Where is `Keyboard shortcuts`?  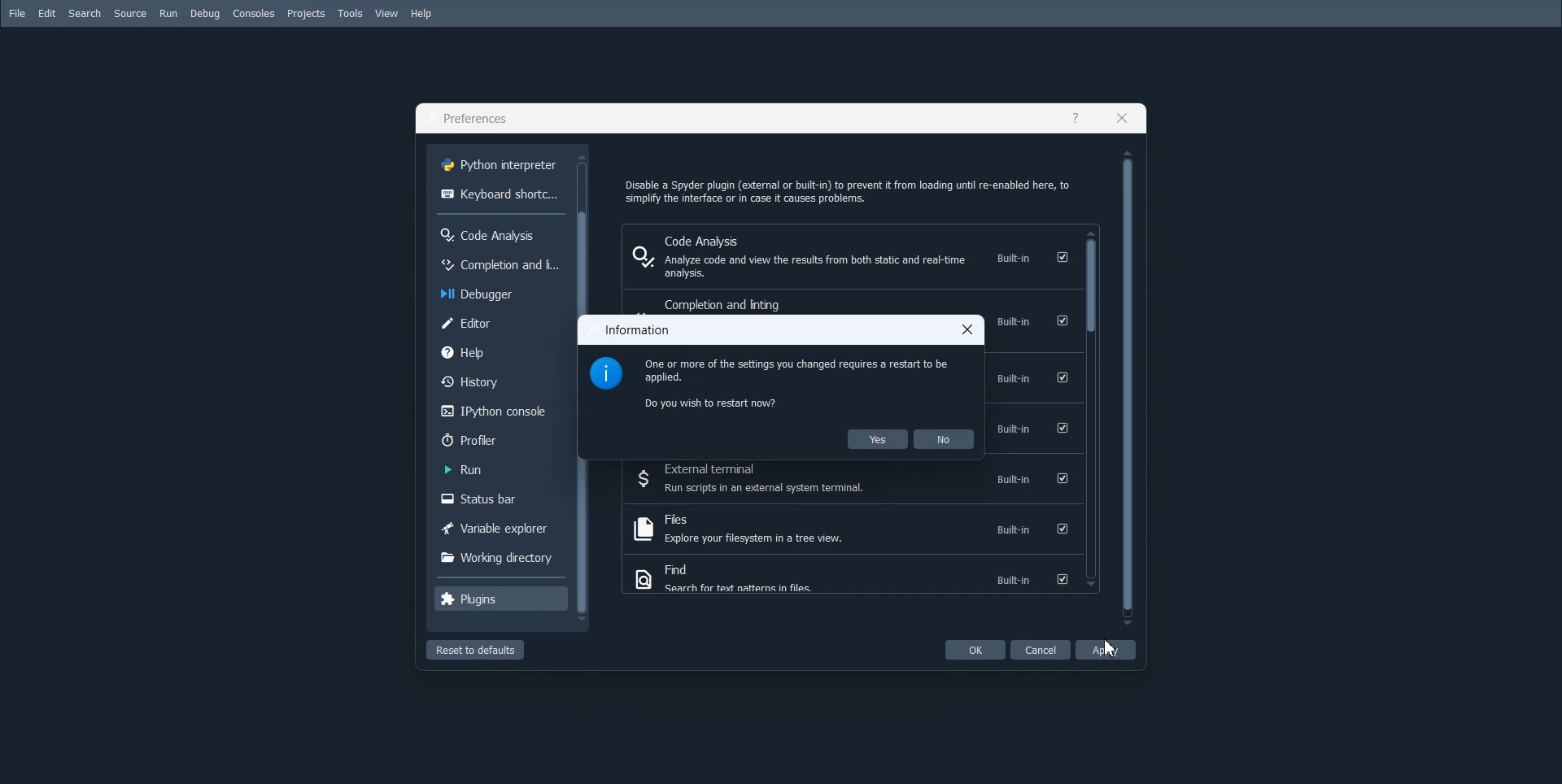 Keyboard shortcuts is located at coordinates (500, 193).